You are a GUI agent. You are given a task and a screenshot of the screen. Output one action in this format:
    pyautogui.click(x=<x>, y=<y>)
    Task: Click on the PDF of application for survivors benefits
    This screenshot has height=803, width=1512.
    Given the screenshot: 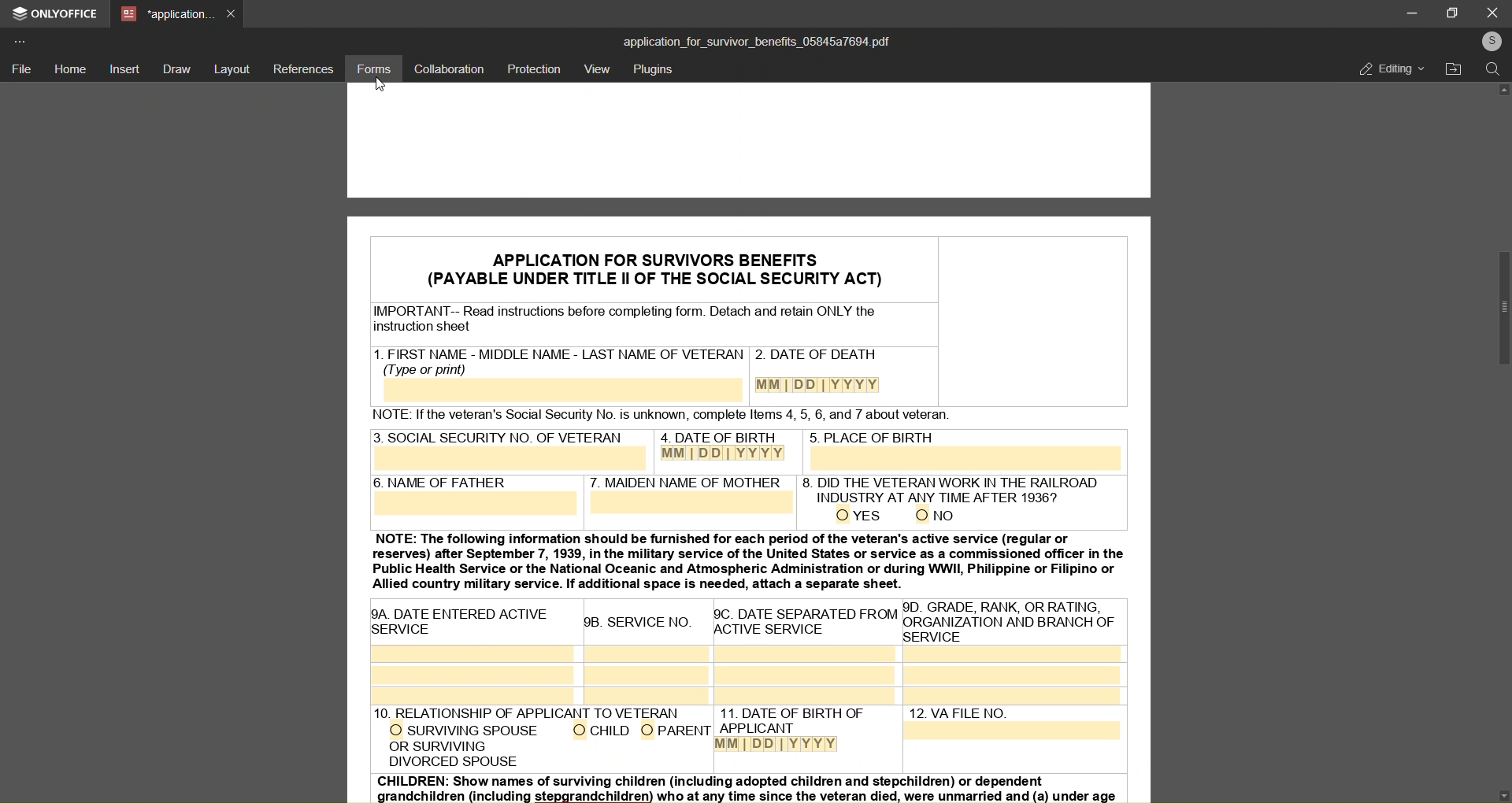 What is the action you would take?
    pyautogui.click(x=754, y=450)
    